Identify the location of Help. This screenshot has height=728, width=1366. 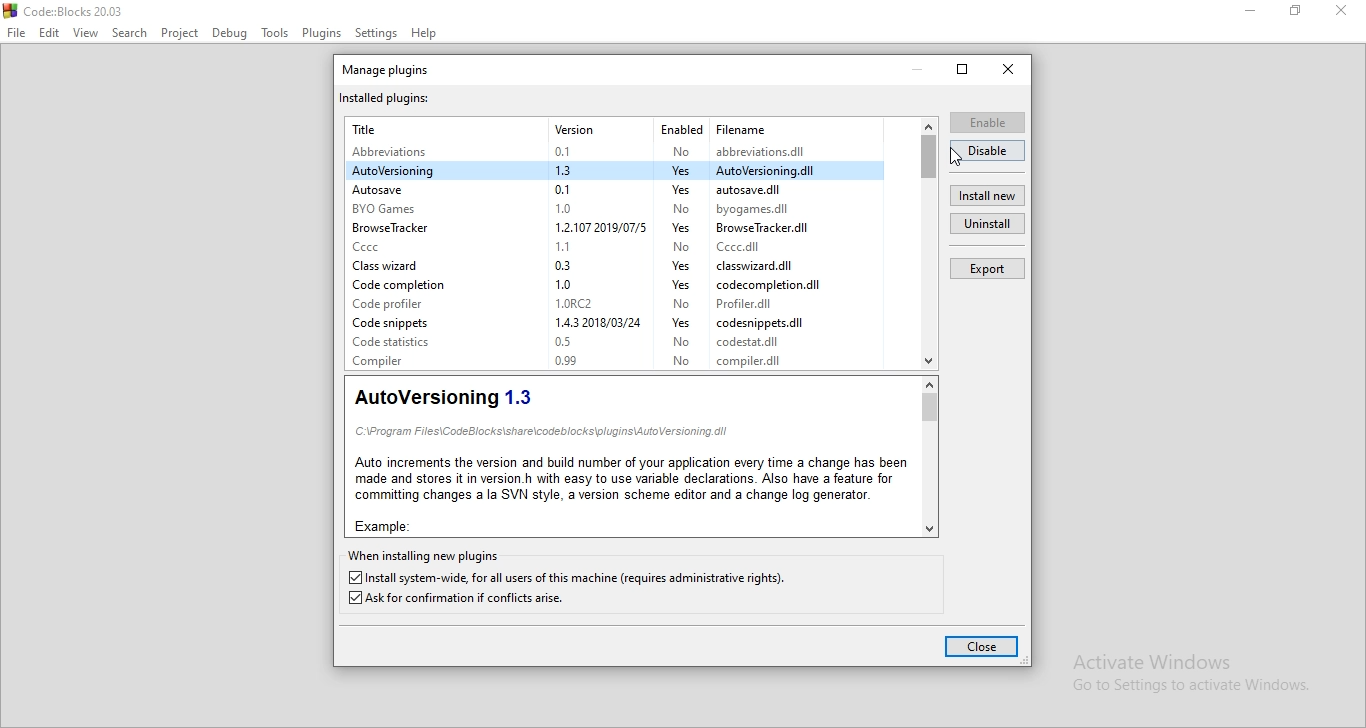
(425, 34).